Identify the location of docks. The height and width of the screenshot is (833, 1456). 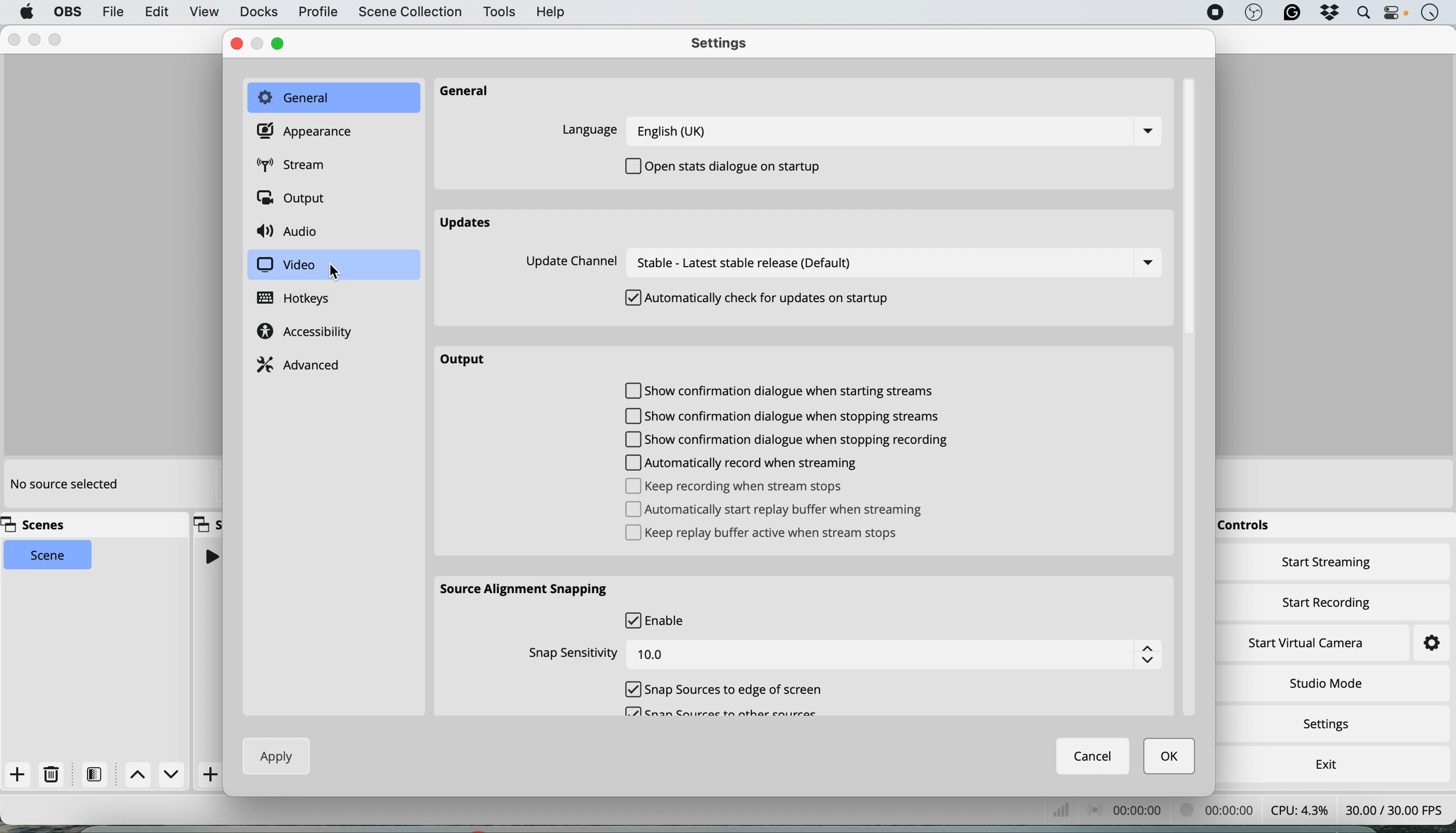
(258, 12).